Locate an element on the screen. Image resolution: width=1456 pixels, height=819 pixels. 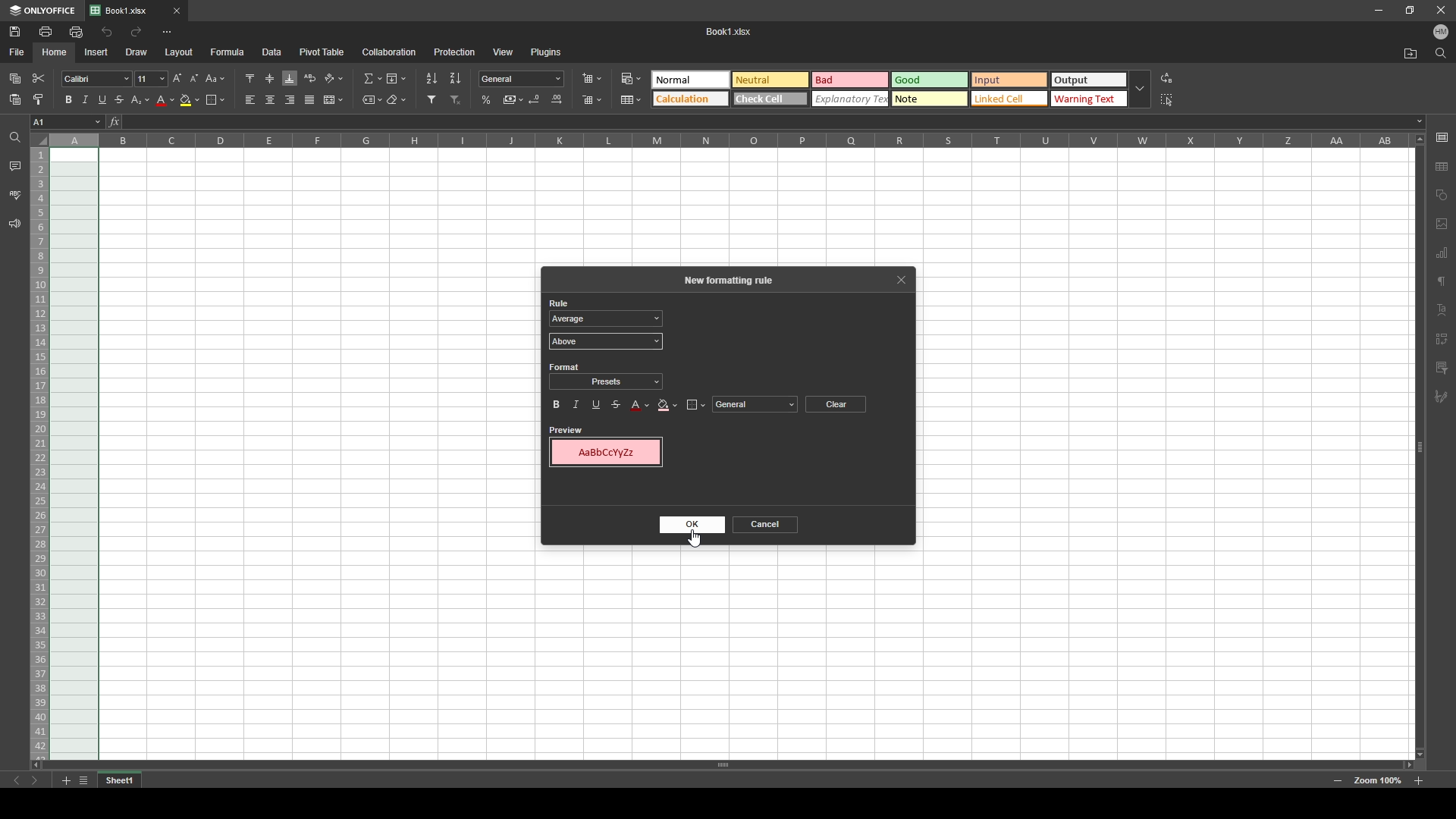
summation is located at coordinates (372, 78).